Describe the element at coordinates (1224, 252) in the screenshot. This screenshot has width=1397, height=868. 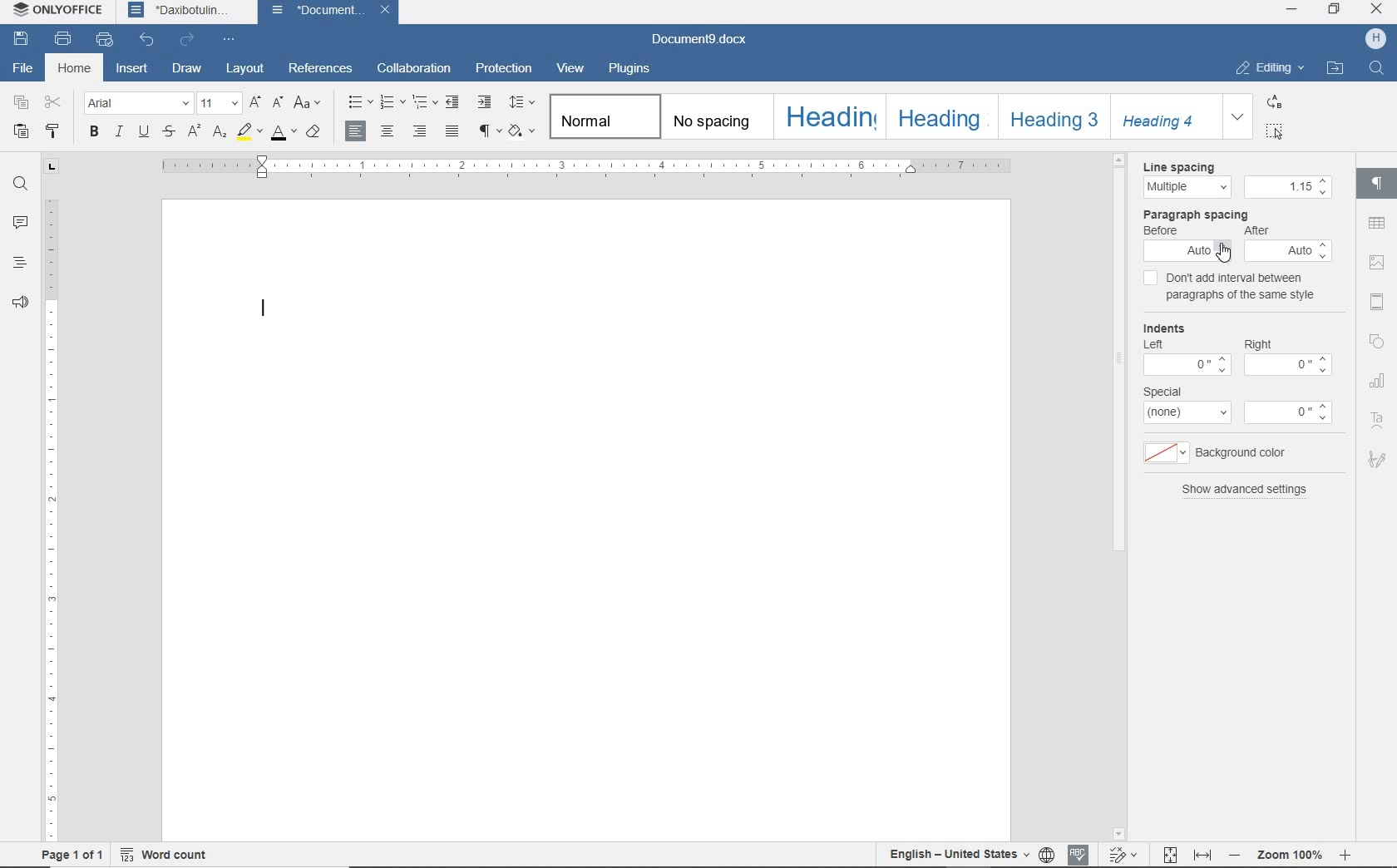
I see `cursor` at that location.